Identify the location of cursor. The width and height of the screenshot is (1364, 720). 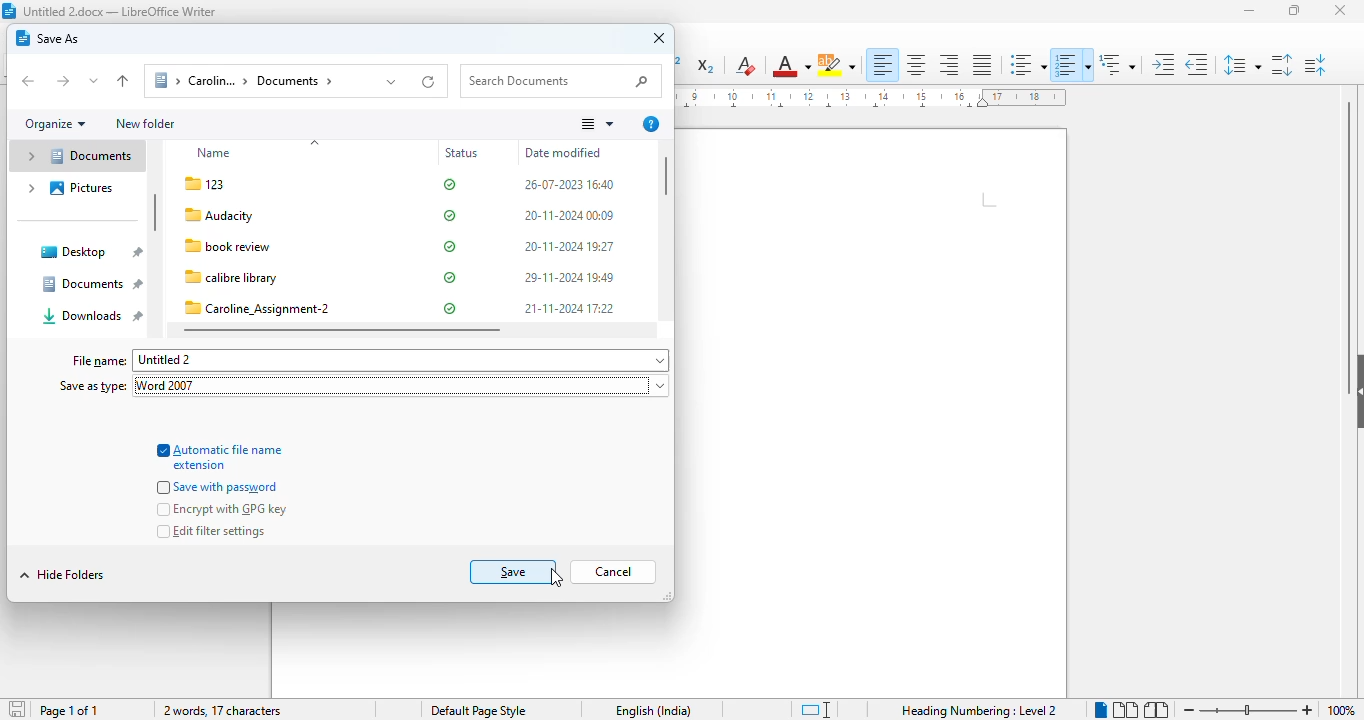
(557, 578).